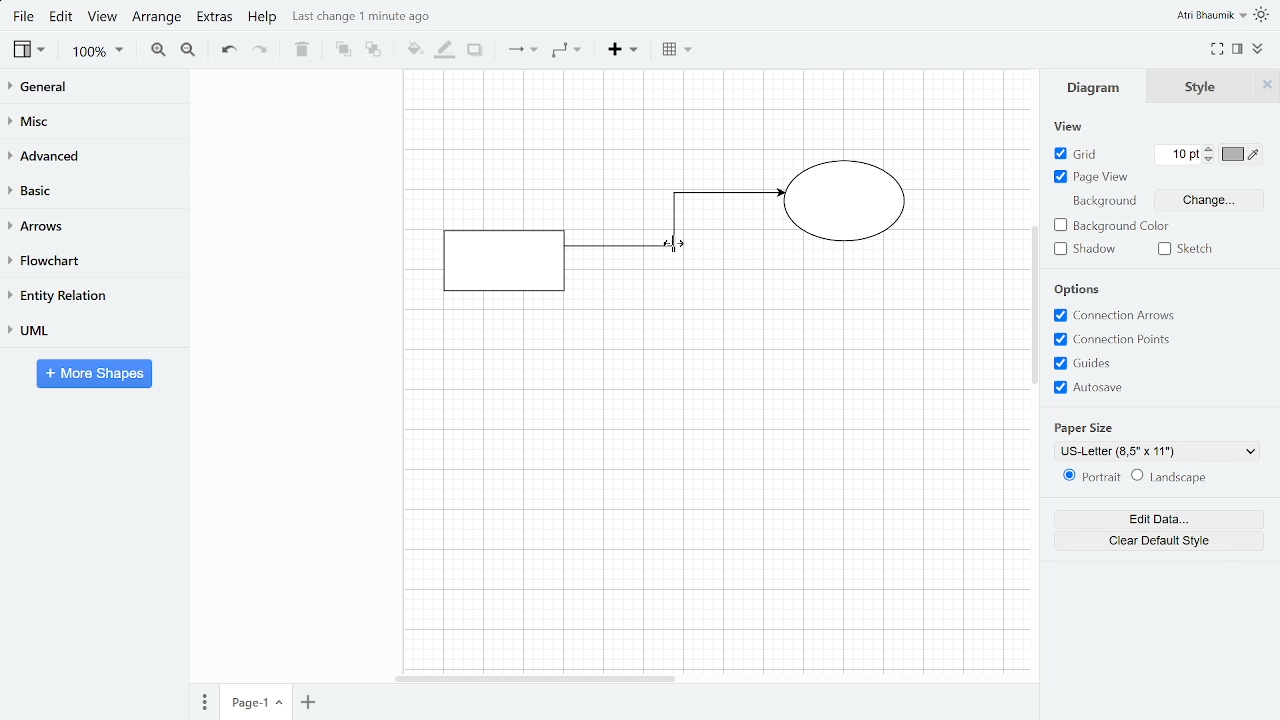  Describe the element at coordinates (414, 49) in the screenshot. I see `Fill color` at that location.